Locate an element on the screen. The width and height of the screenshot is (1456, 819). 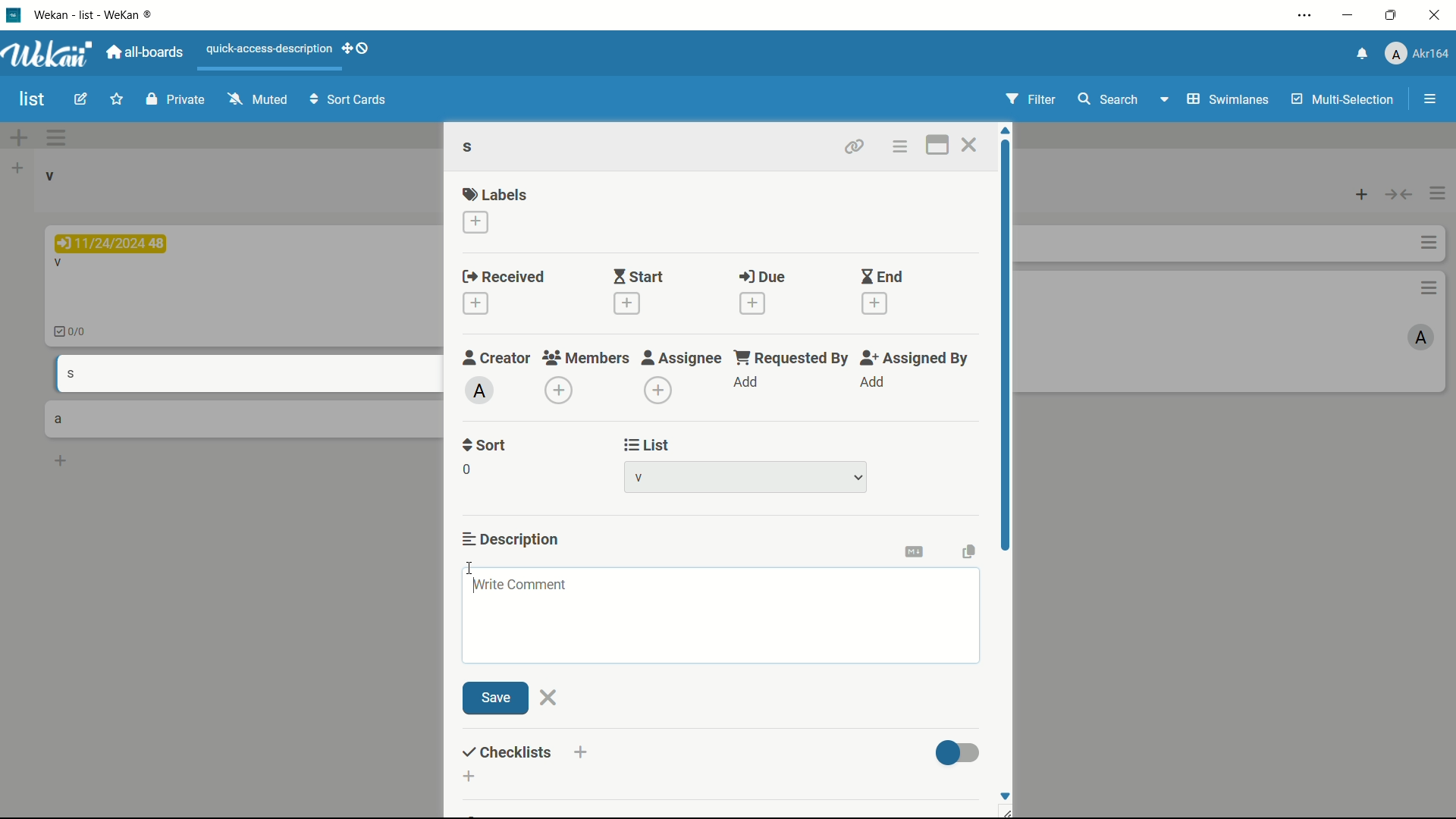
notifications is located at coordinates (1361, 55).